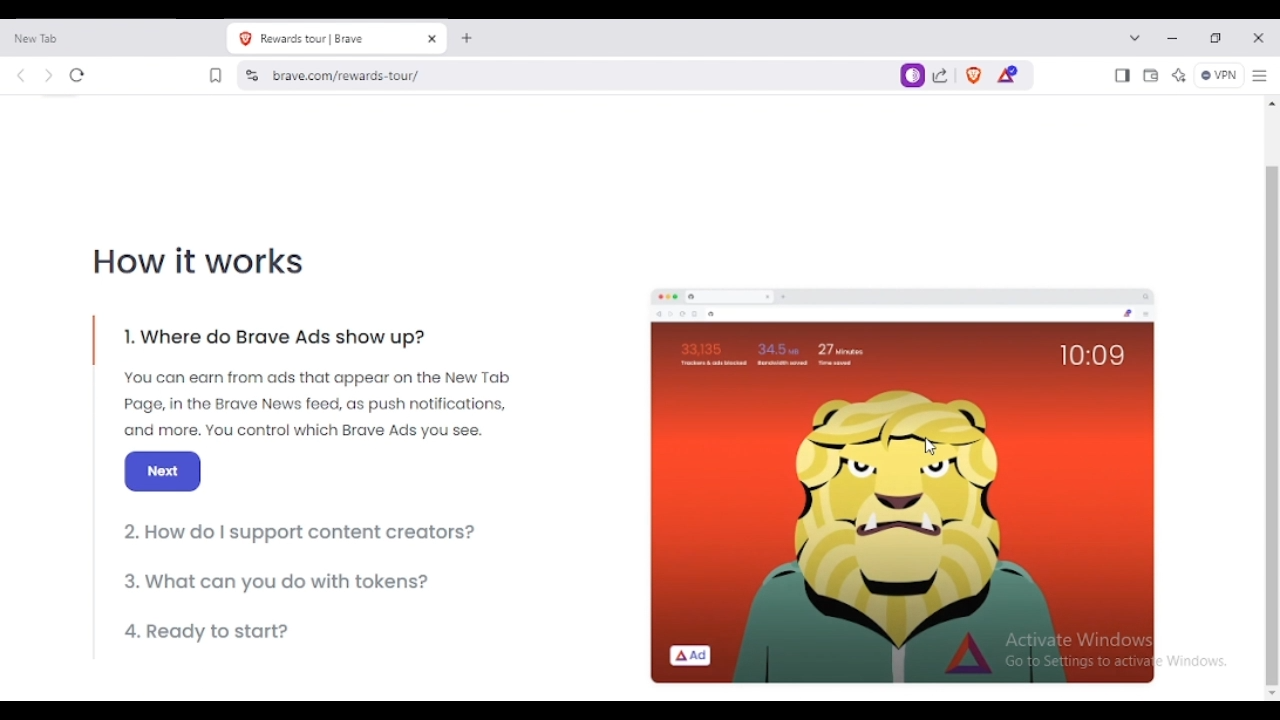 This screenshot has height=720, width=1280. I want to click on vertical scroll bar, so click(1270, 424).